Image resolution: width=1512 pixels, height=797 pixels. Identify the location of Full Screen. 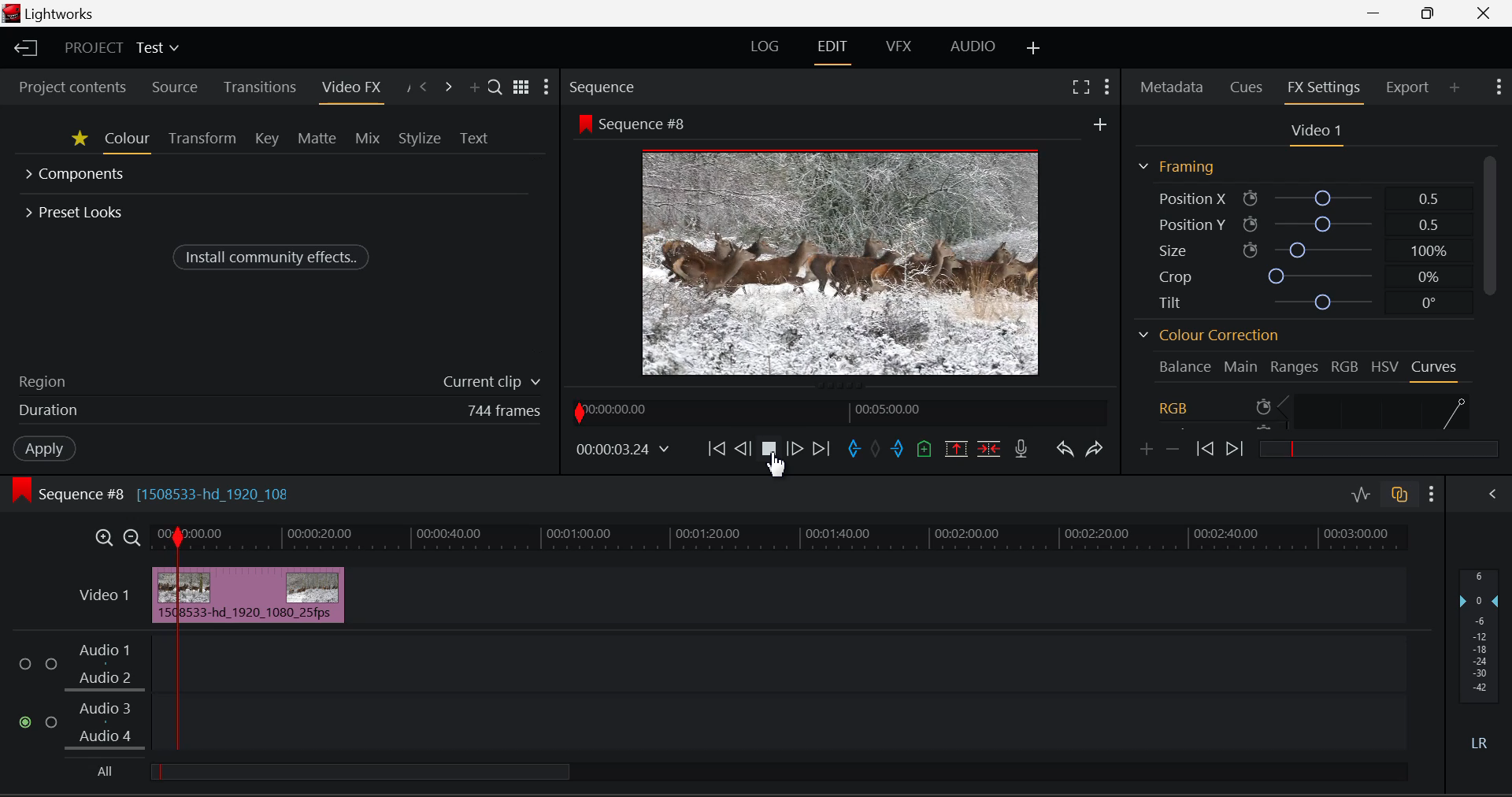
(1080, 89).